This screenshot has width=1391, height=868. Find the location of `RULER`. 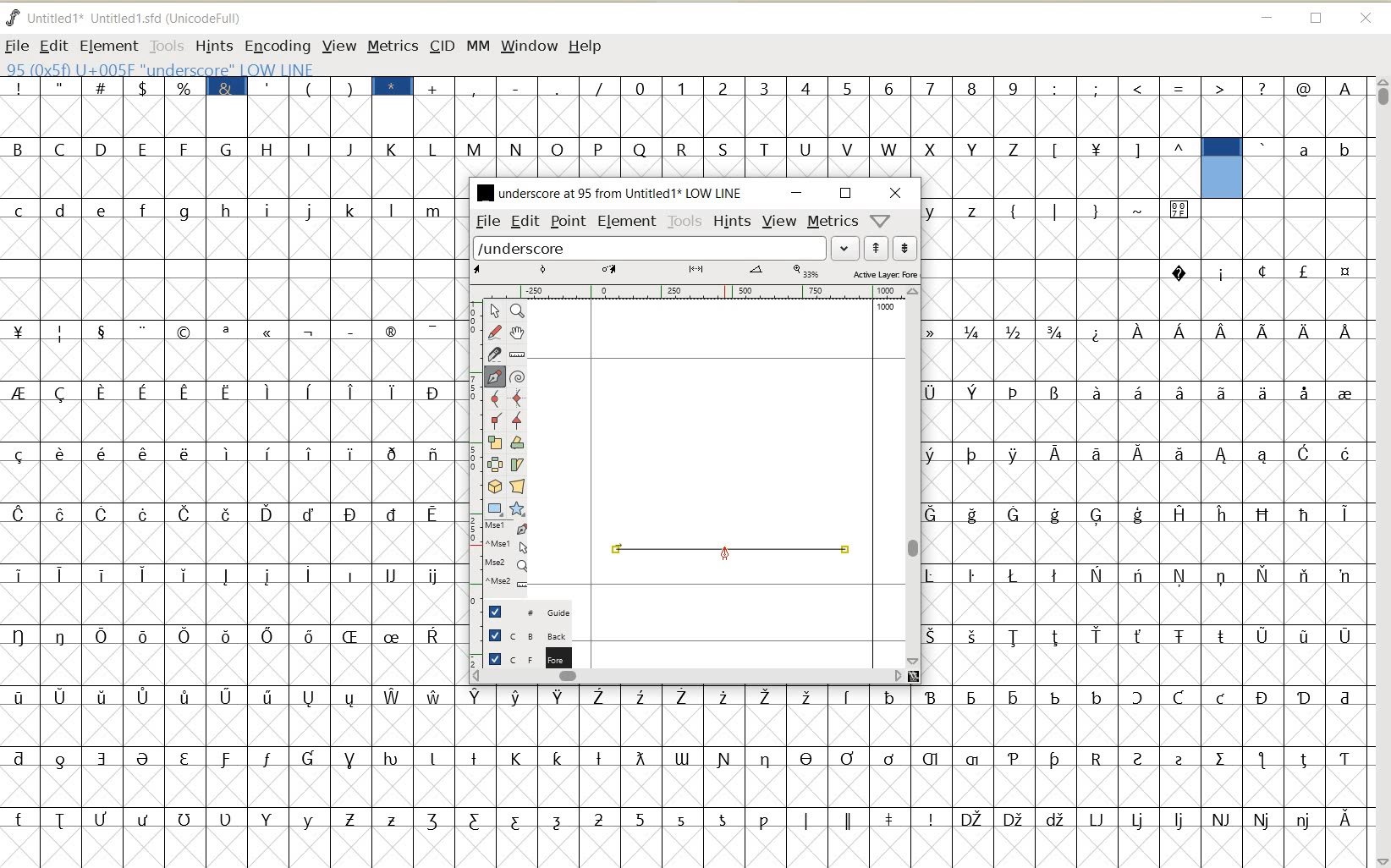

RULER is located at coordinates (690, 292).